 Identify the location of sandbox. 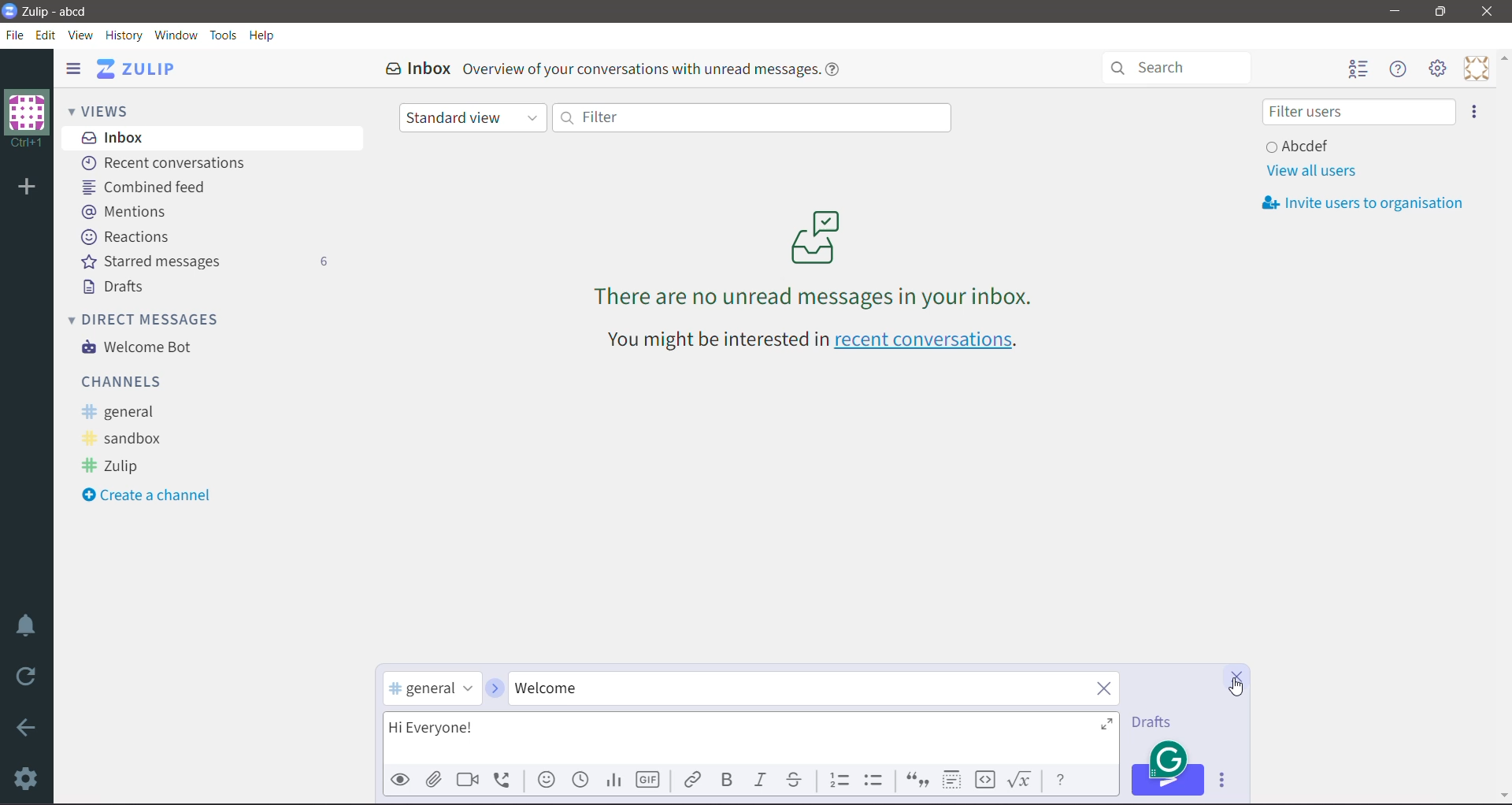
(128, 440).